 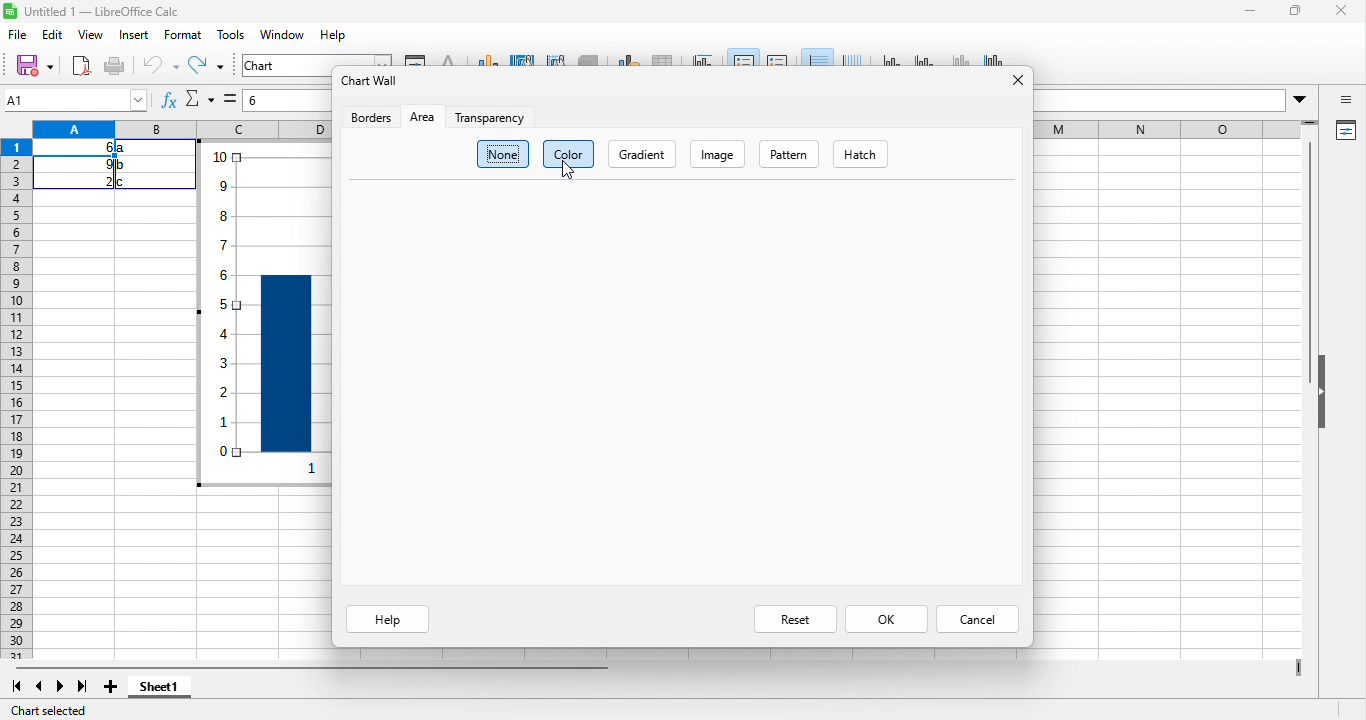 I want to click on image, so click(x=719, y=153).